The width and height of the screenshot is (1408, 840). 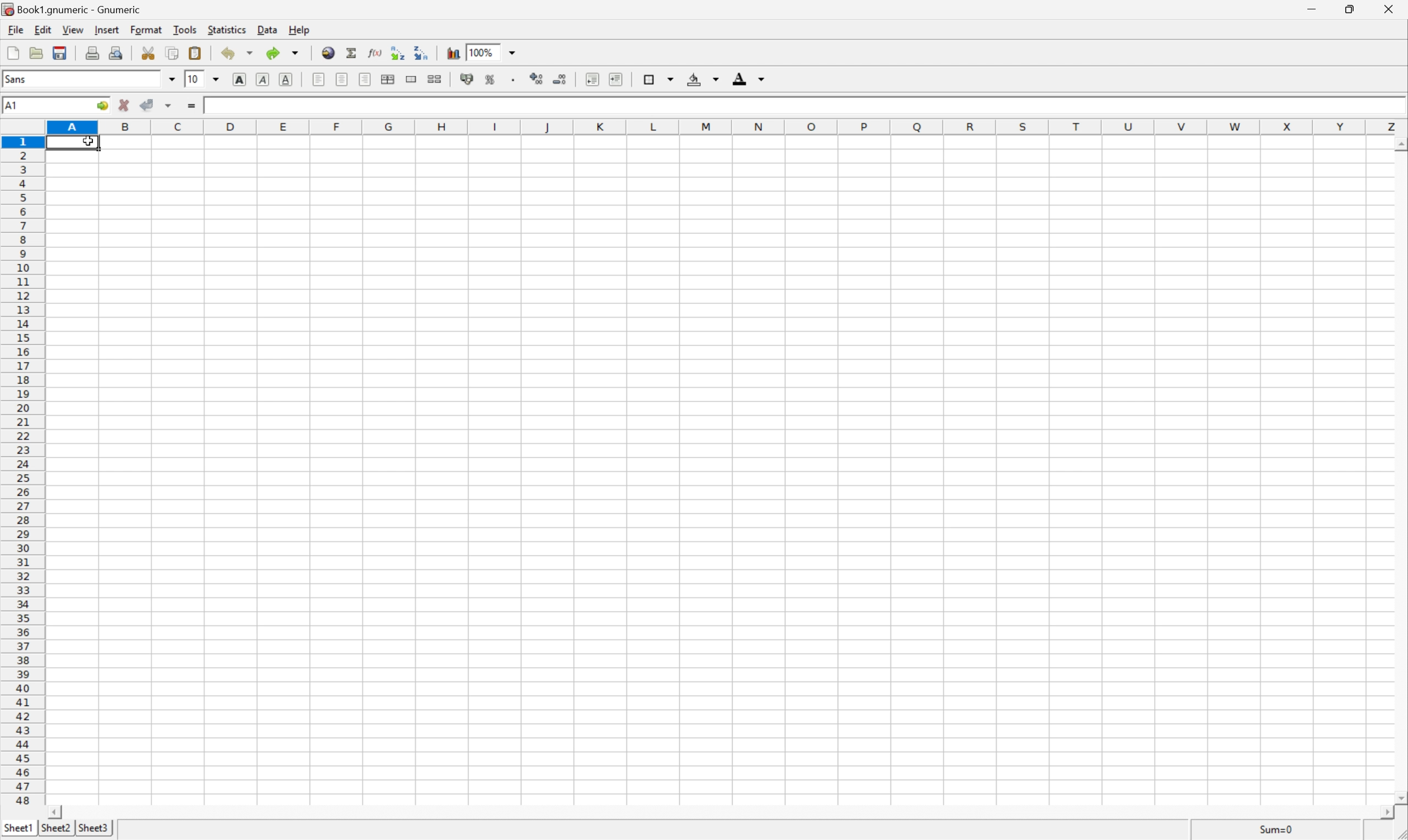 I want to click on statistics, so click(x=227, y=31).